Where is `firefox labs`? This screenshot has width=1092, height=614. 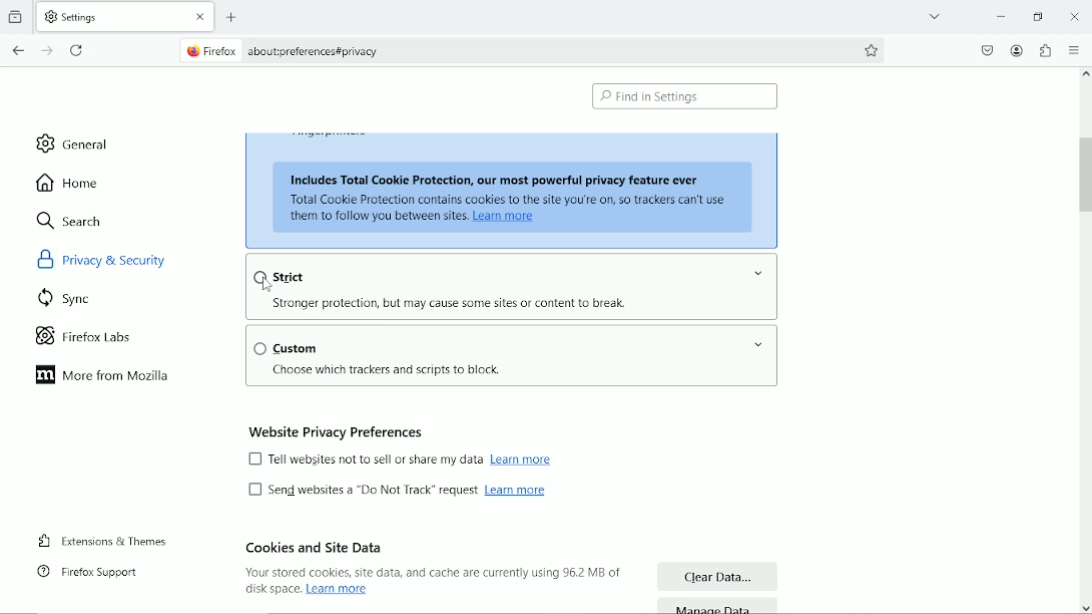
firefox labs is located at coordinates (81, 337).